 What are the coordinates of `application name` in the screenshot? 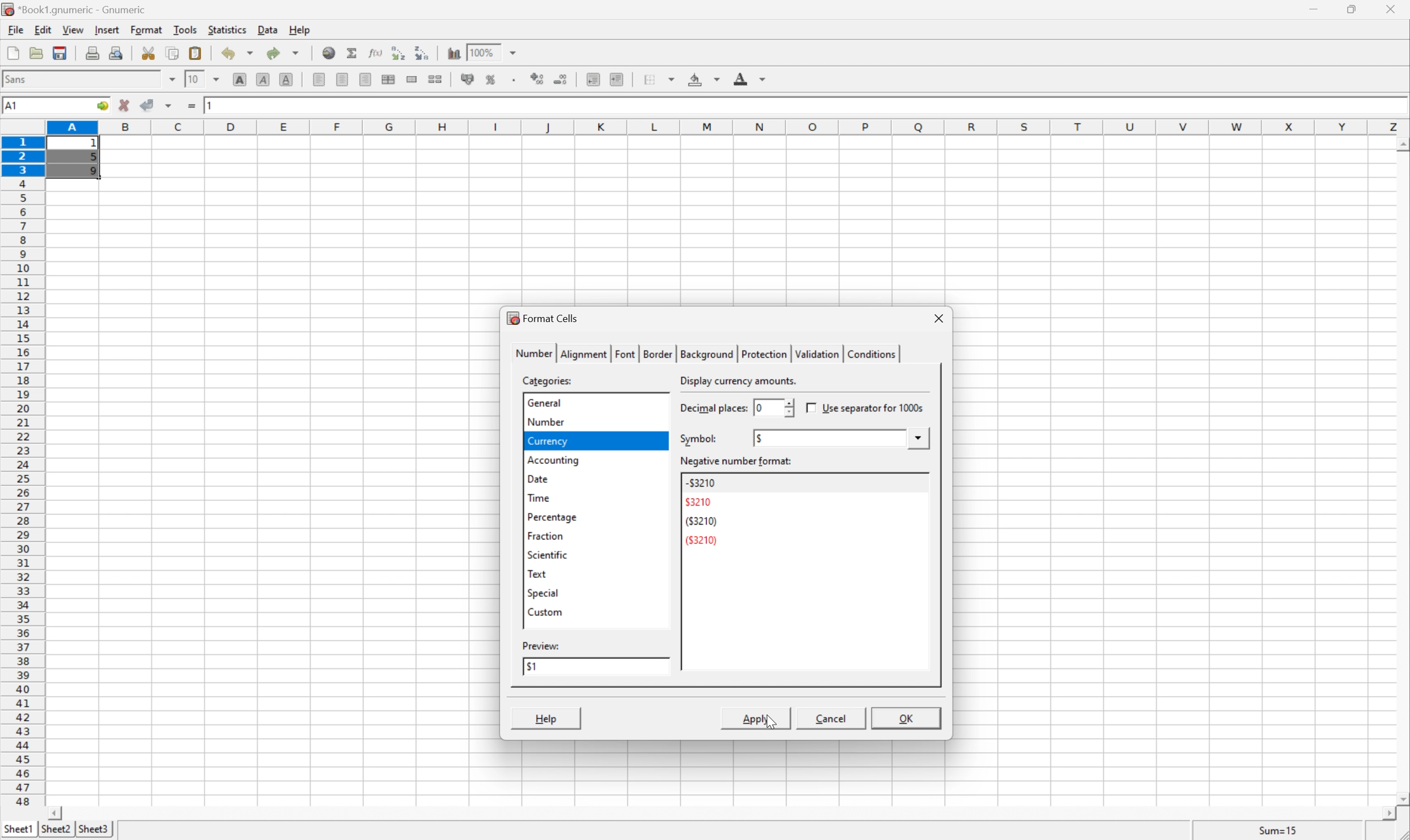 It's located at (78, 8).